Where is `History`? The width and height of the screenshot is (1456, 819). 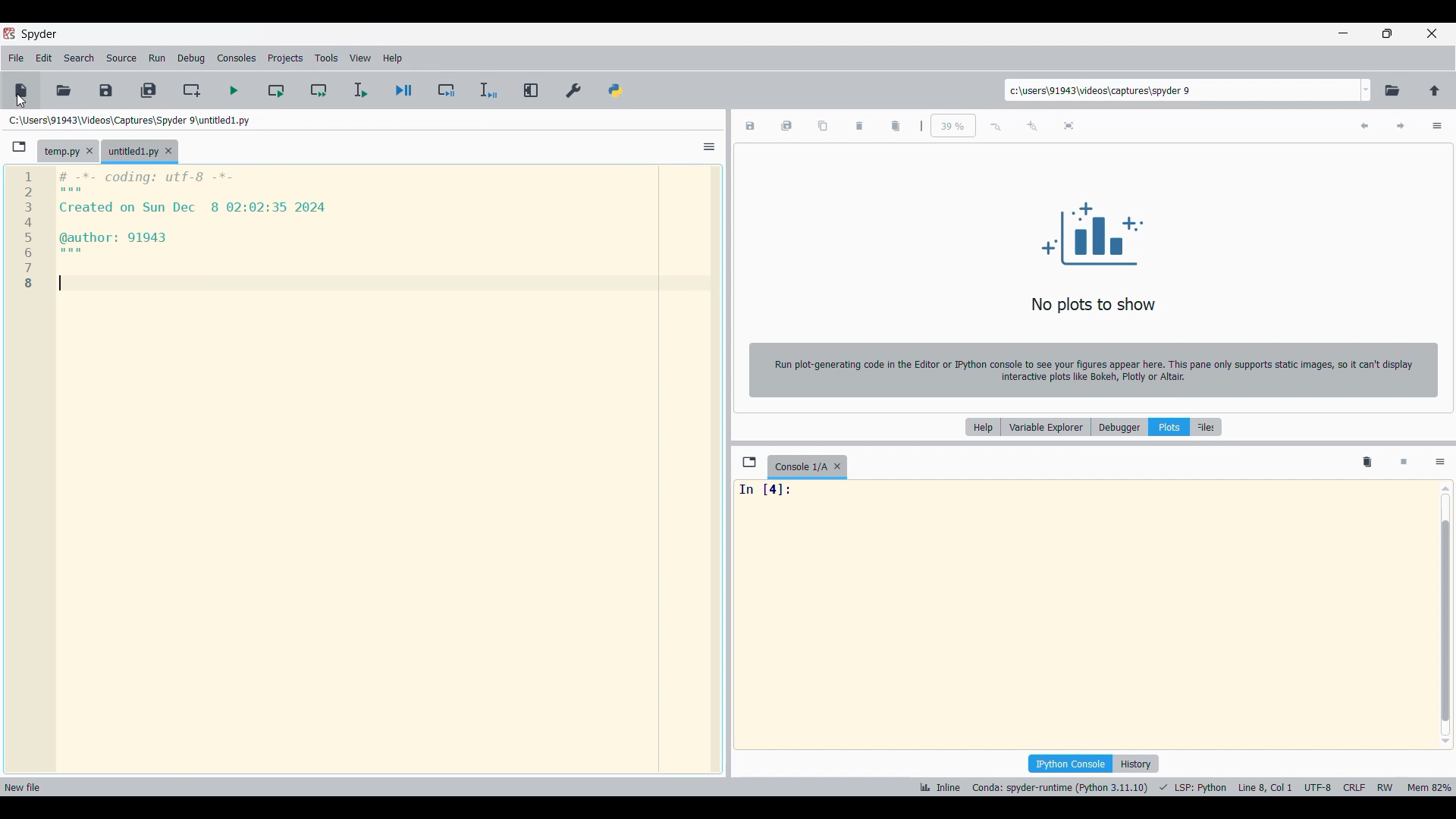 History is located at coordinates (1136, 764).